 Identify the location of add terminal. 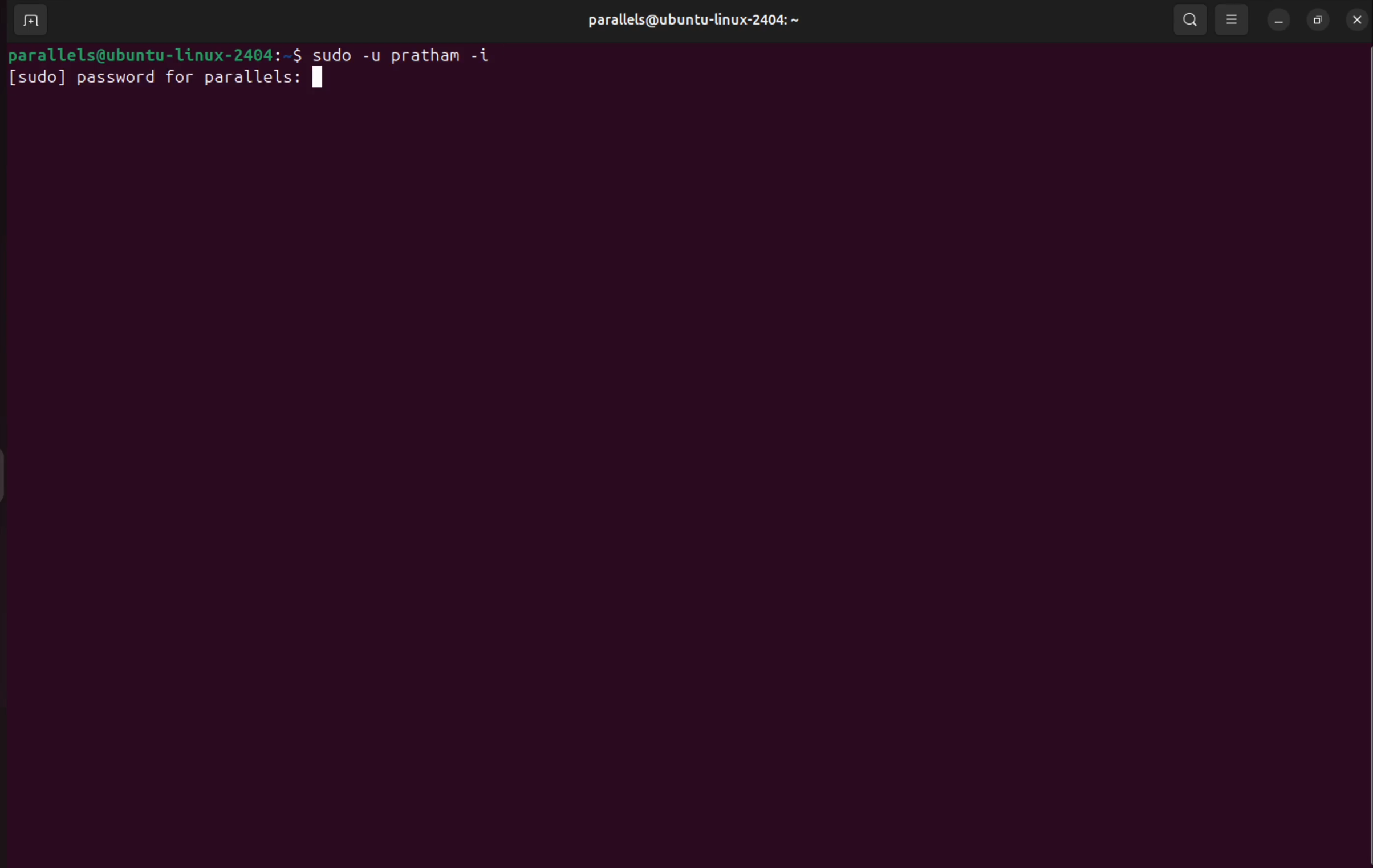
(28, 21).